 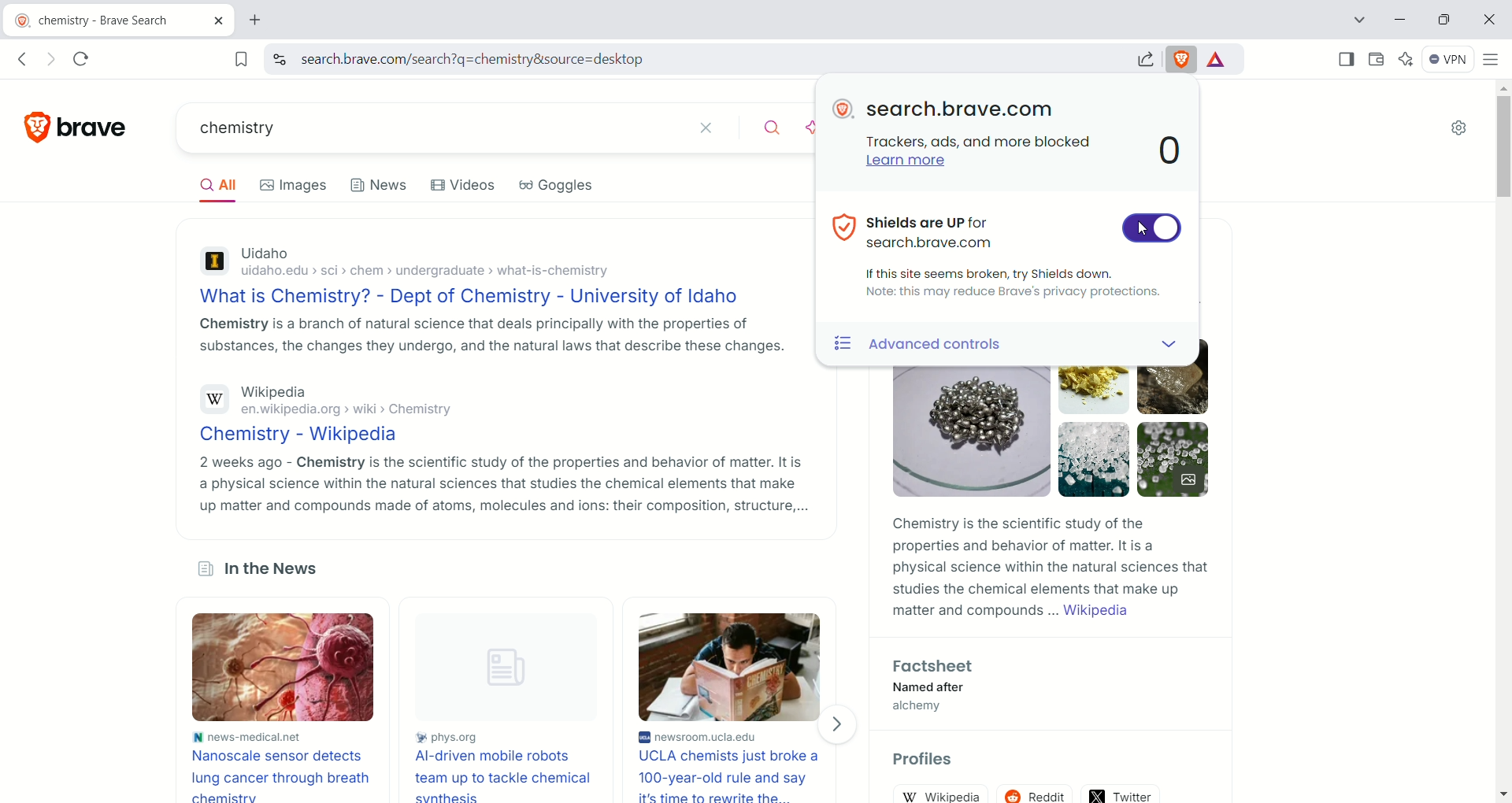 I want to click on customize and control brave, so click(x=1494, y=62).